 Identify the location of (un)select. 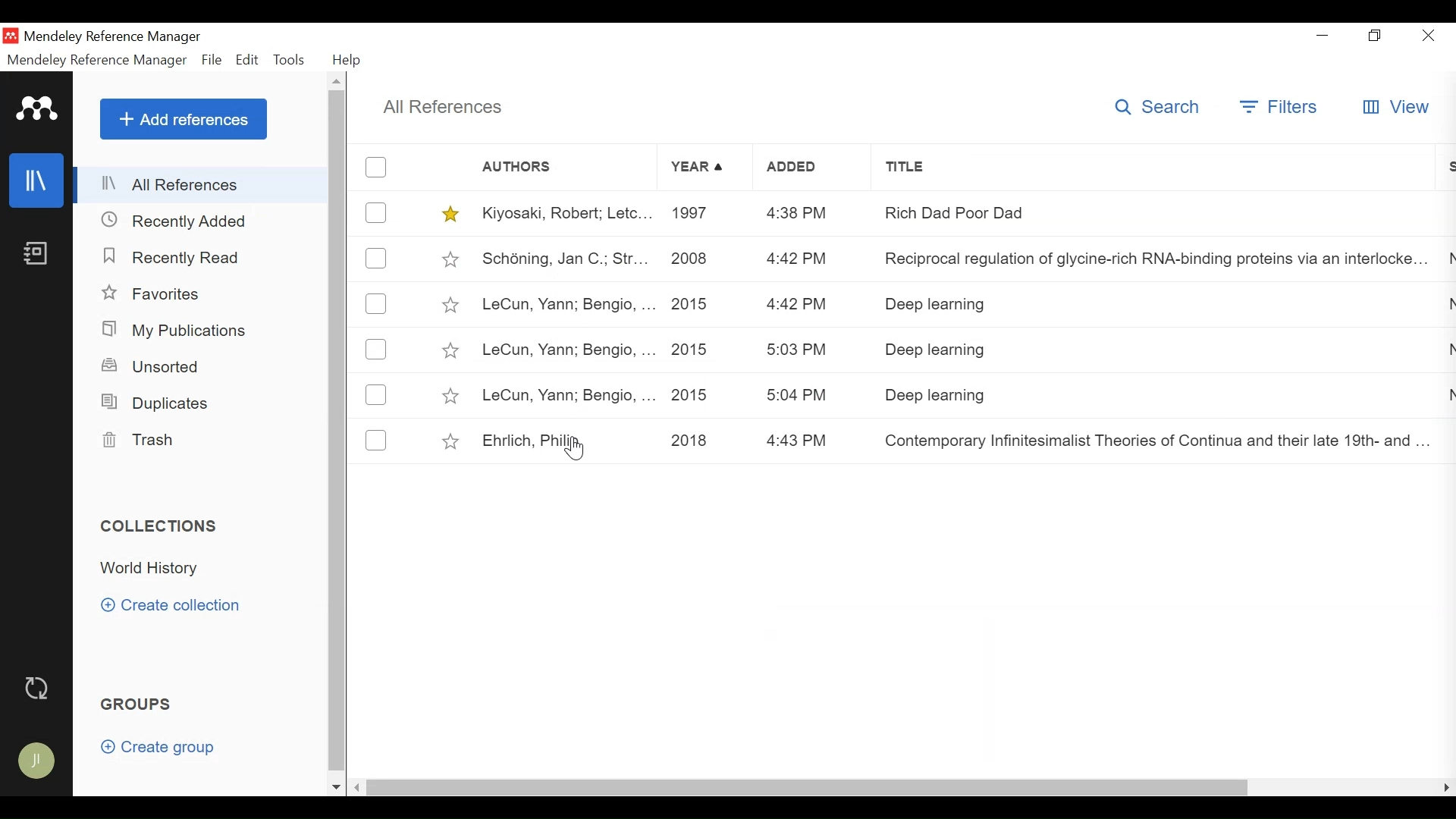
(378, 167).